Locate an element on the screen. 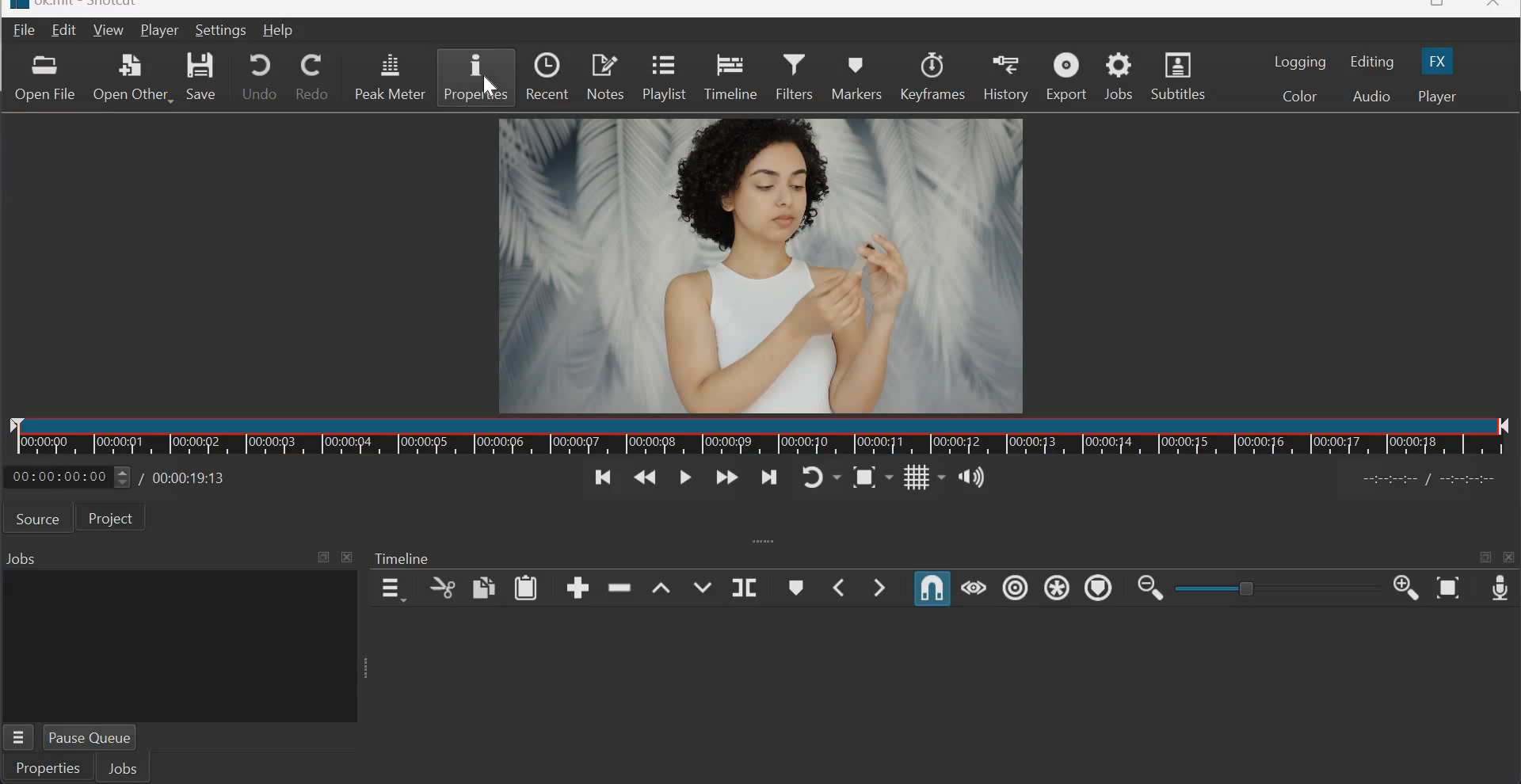 The width and height of the screenshot is (1521, 784). Project is located at coordinates (116, 518).